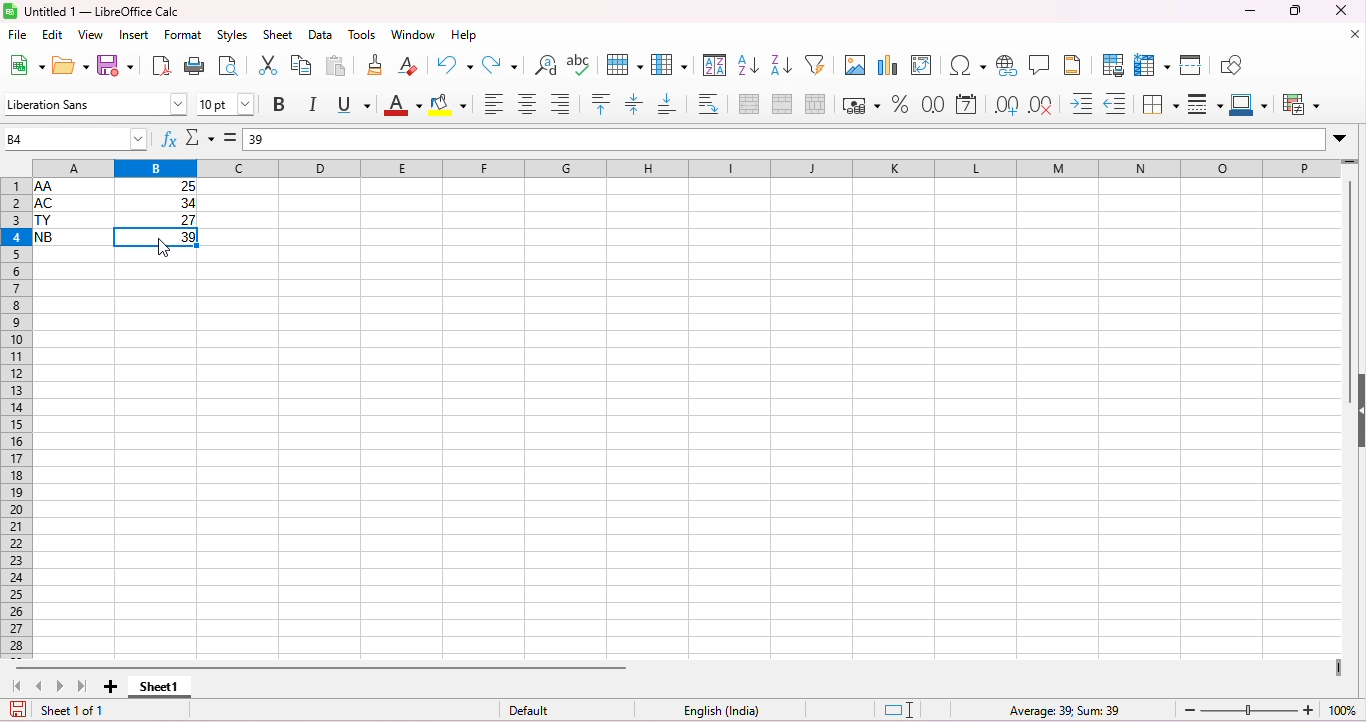 The width and height of the screenshot is (1366, 722). Describe the element at coordinates (63, 686) in the screenshot. I see `next sheet` at that location.